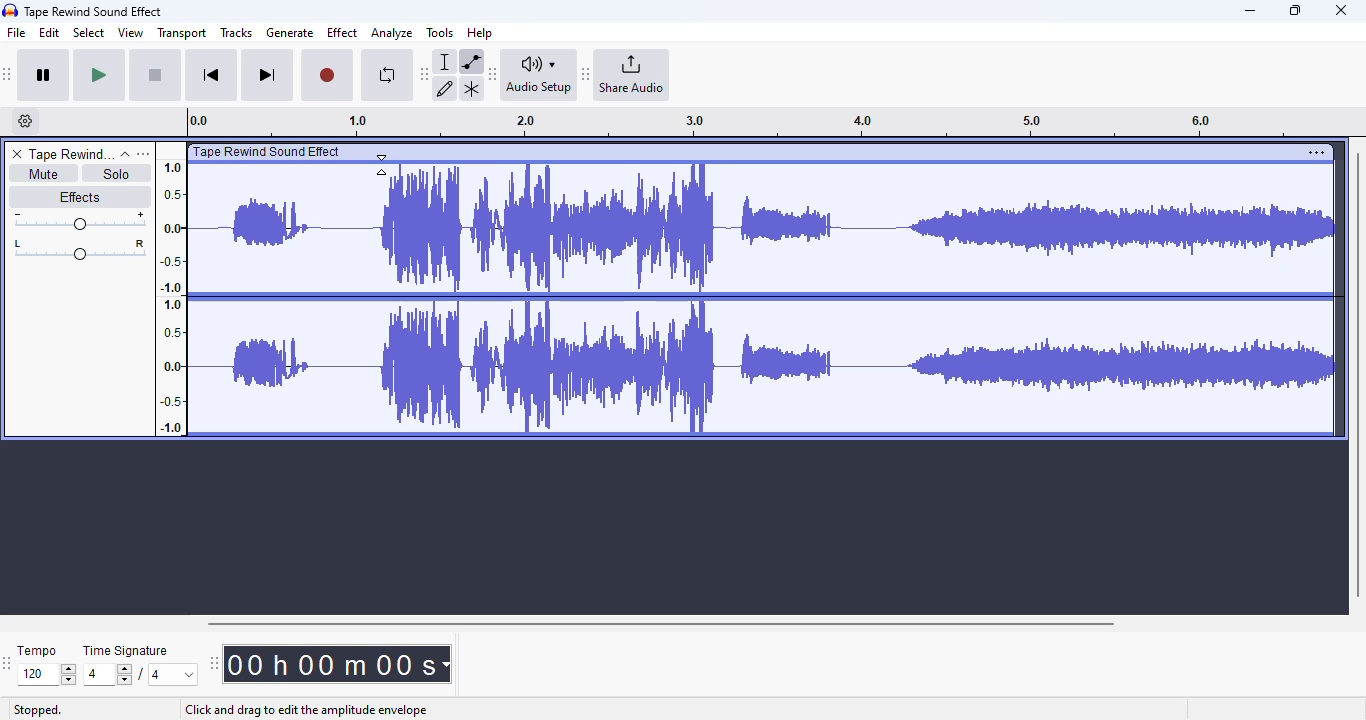  Describe the element at coordinates (38, 711) in the screenshot. I see `stopped` at that location.